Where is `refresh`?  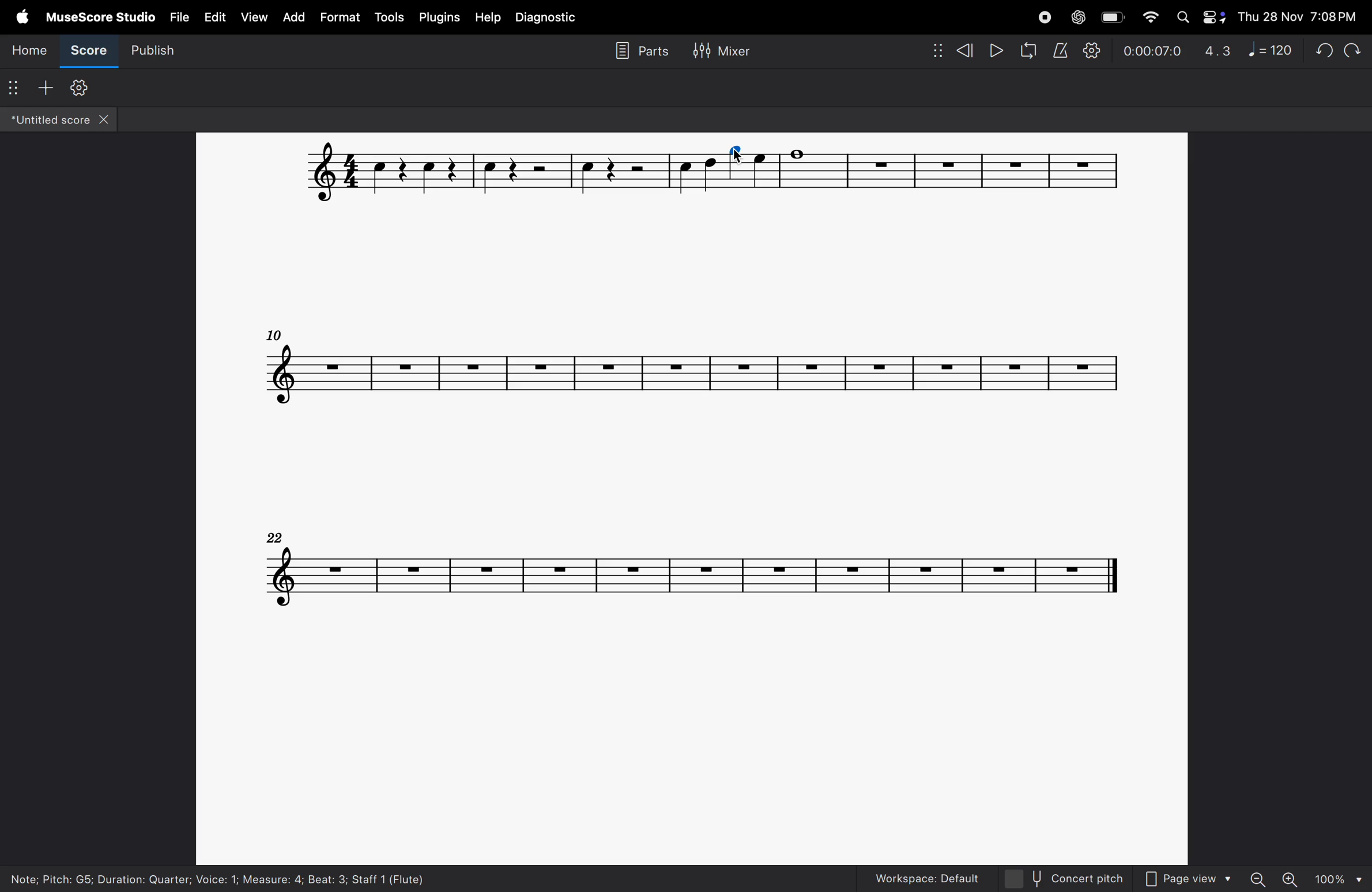
refresh is located at coordinates (1030, 52).